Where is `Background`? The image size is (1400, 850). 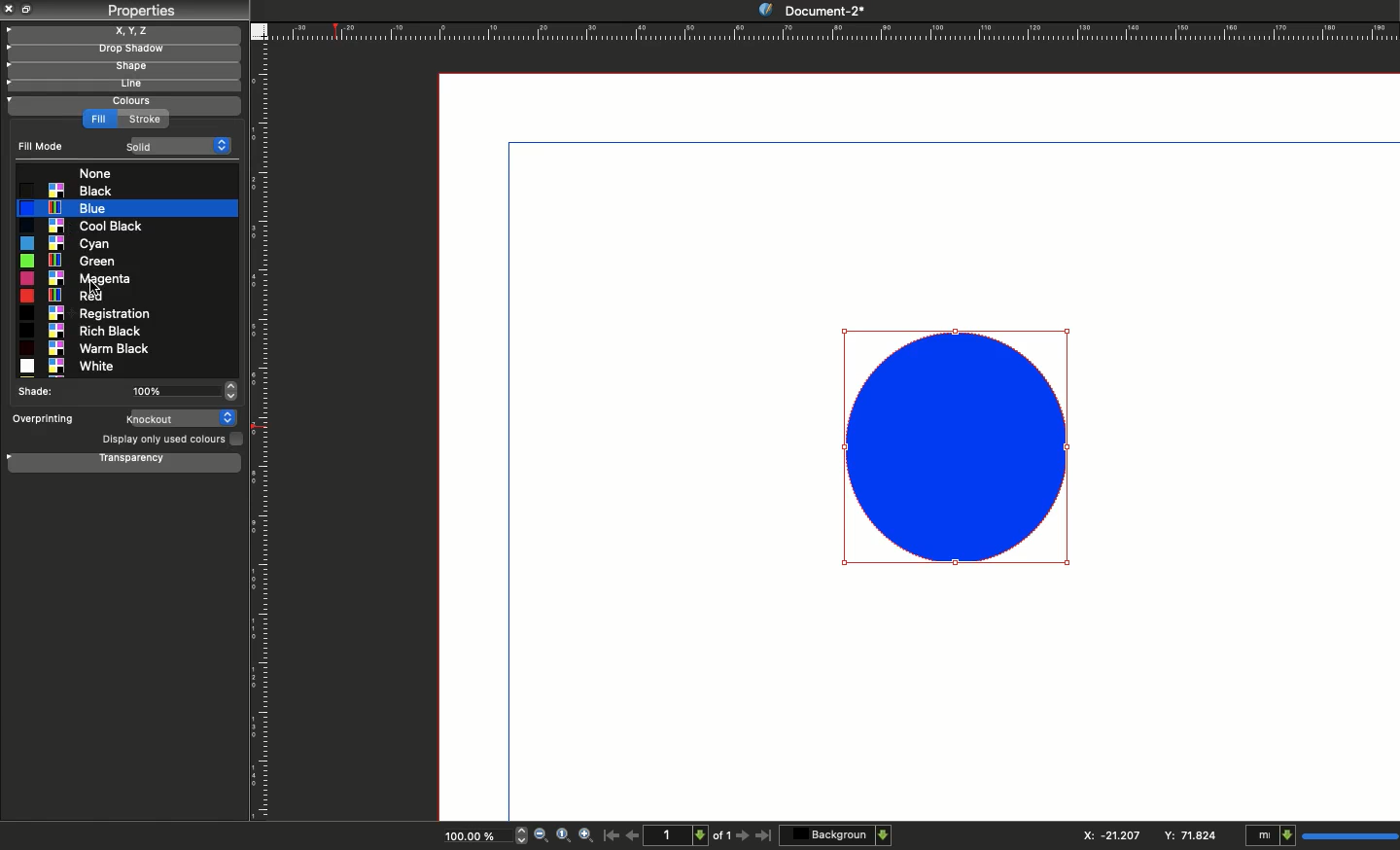
Background is located at coordinates (837, 834).